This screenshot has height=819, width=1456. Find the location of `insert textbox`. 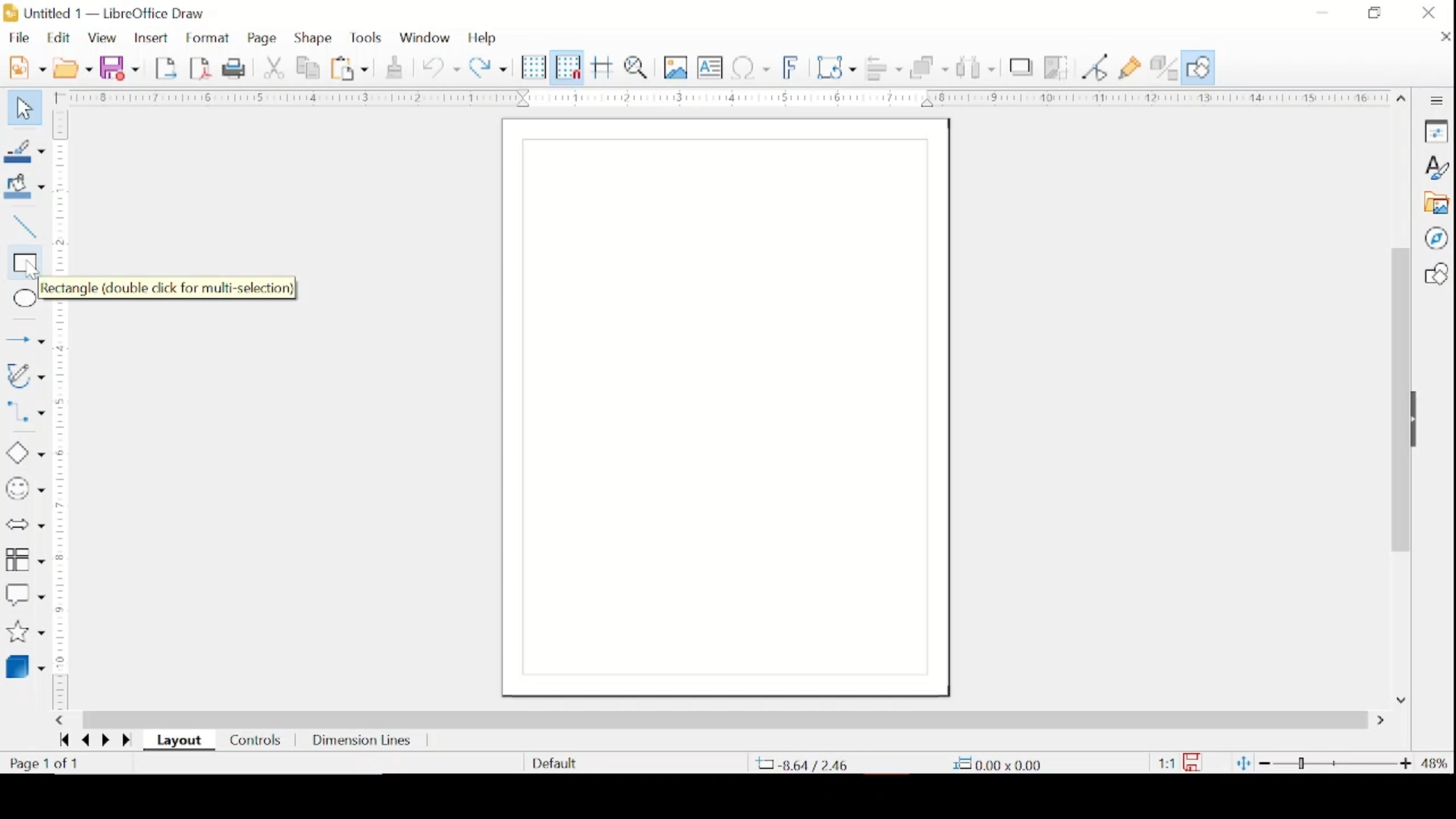

insert textbox is located at coordinates (710, 67).